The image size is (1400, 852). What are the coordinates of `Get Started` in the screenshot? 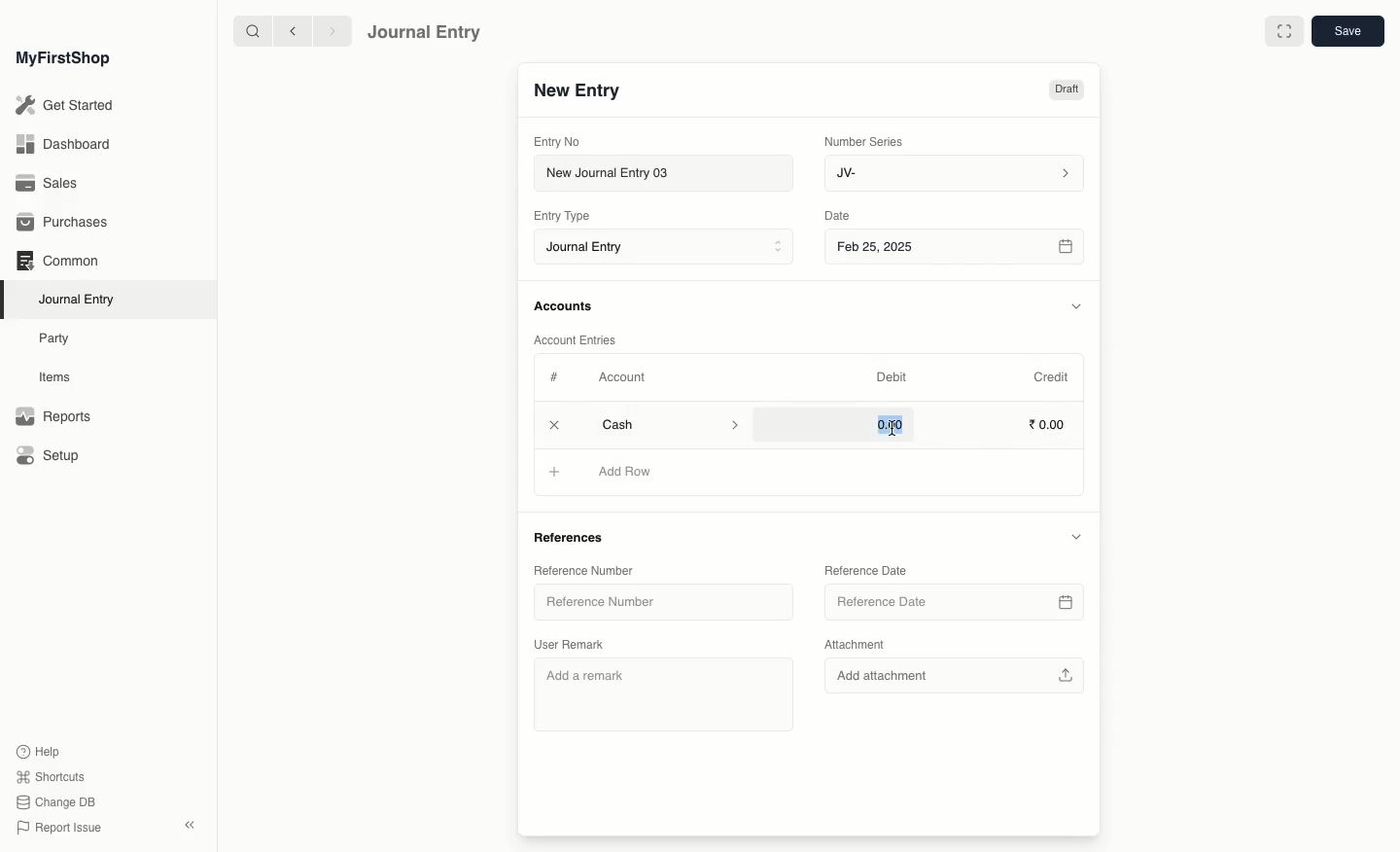 It's located at (66, 106).